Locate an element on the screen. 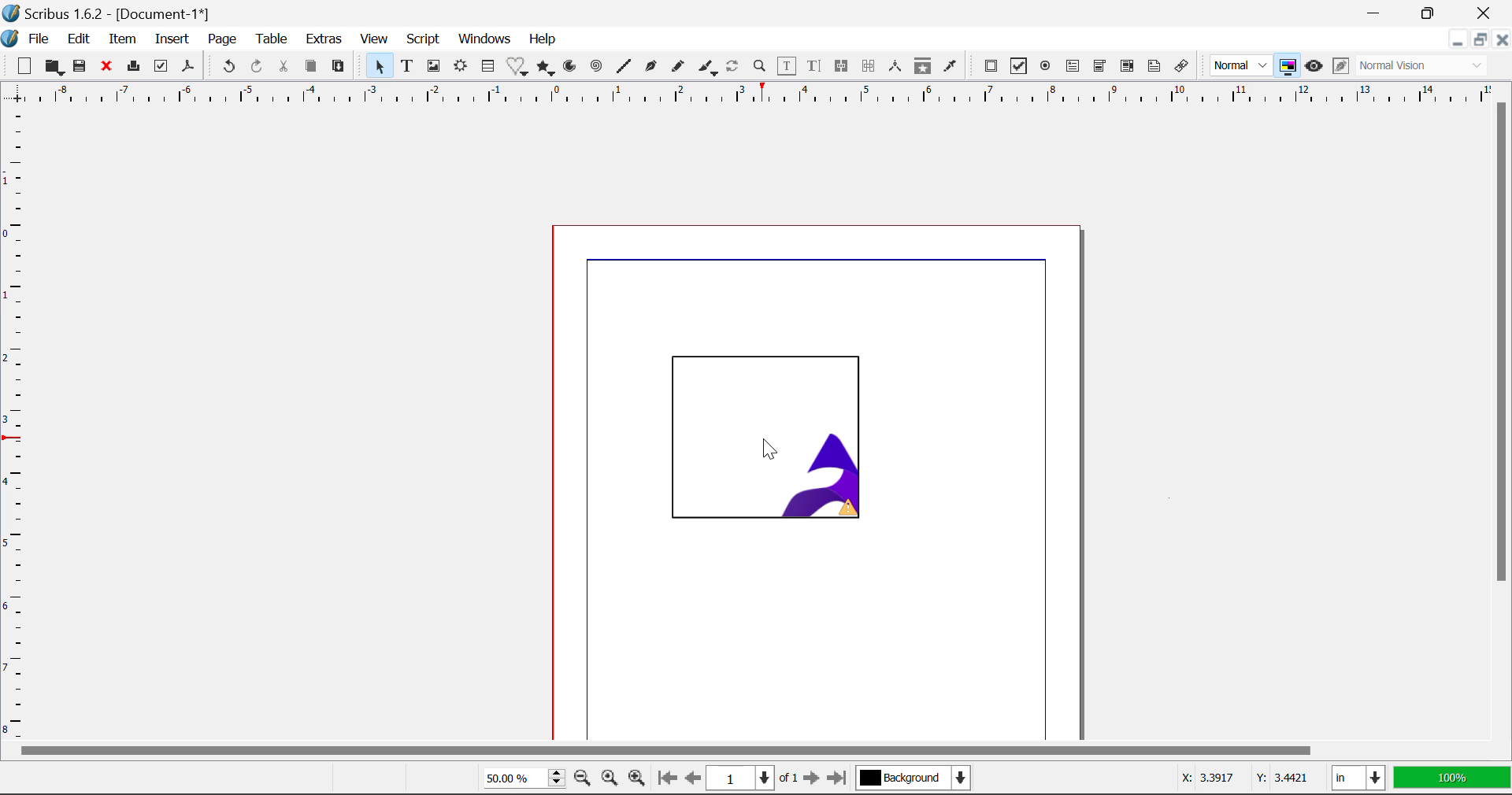  Link Text Frames is located at coordinates (843, 67).